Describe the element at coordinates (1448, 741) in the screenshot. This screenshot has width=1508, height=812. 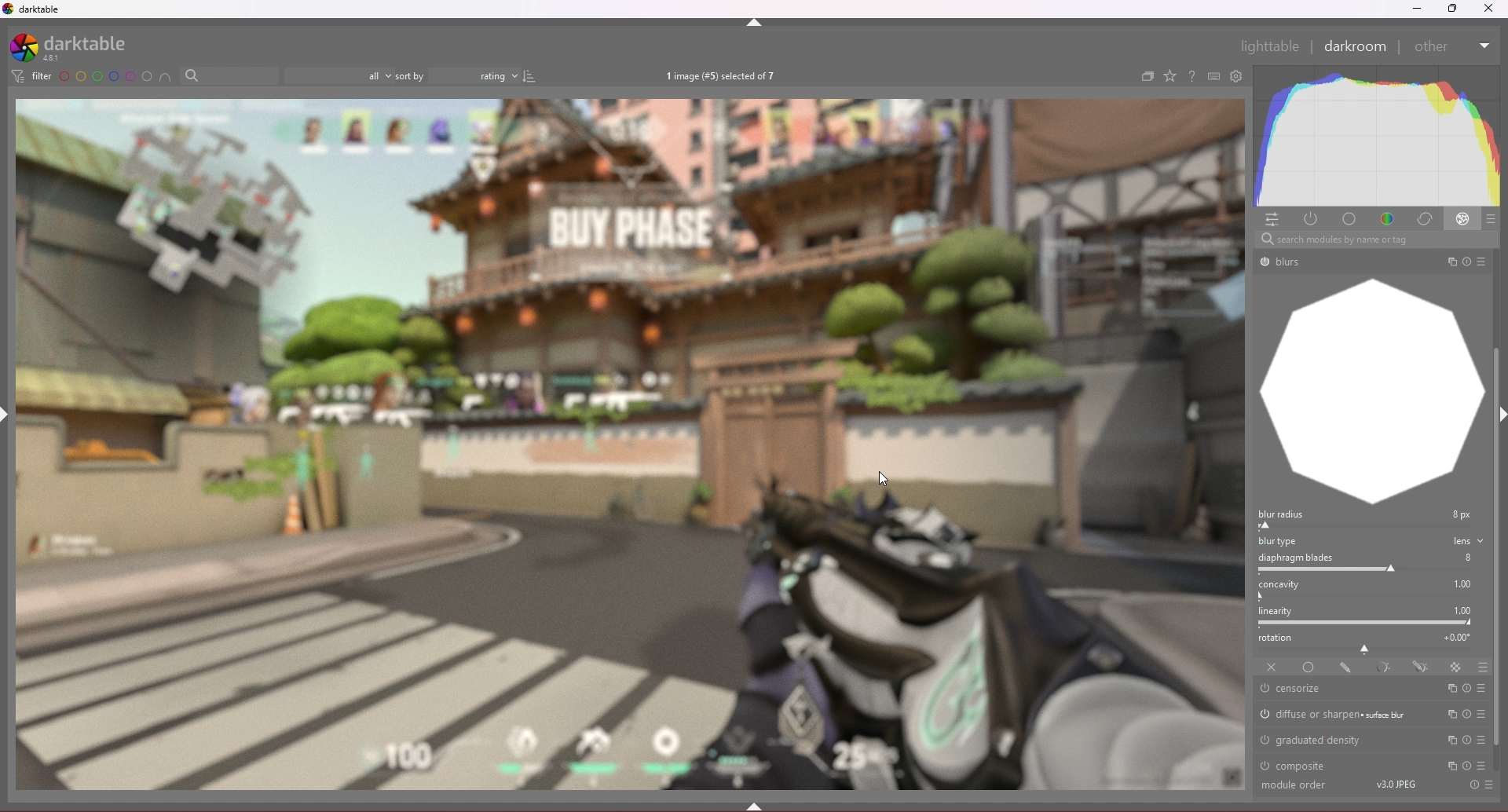
I see `multi instances actions` at that location.